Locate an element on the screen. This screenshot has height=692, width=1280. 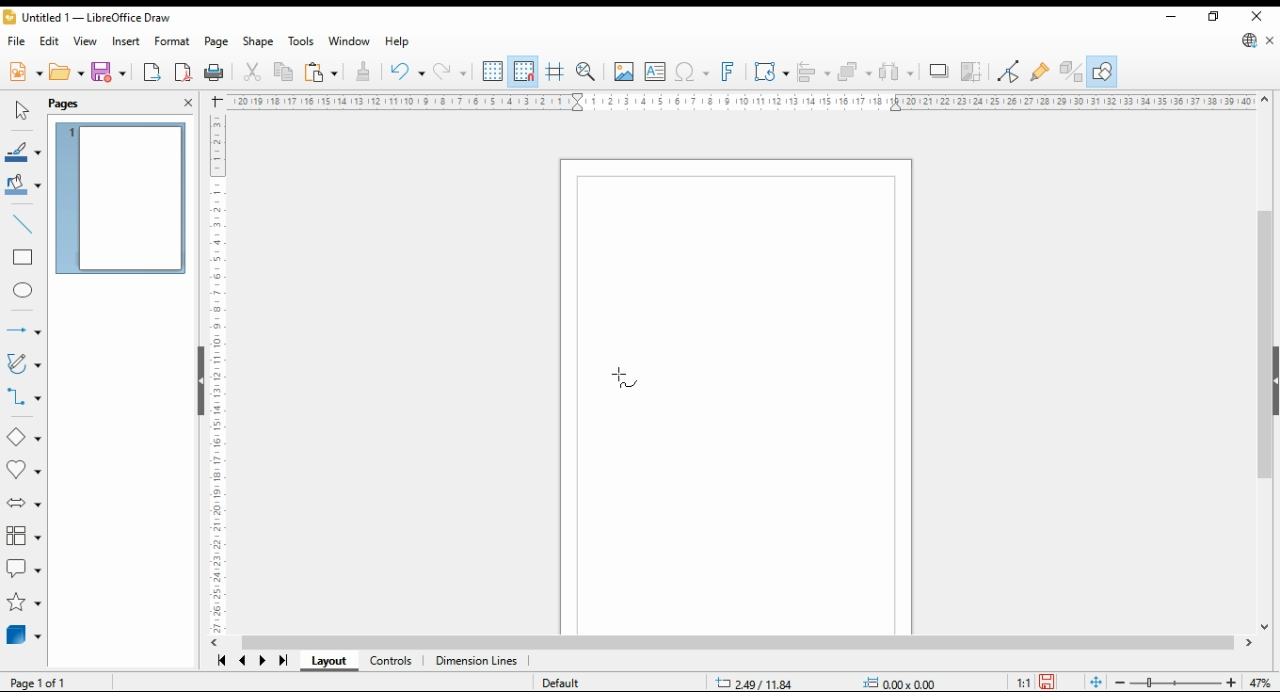
copy is located at coordinates (285, 71).